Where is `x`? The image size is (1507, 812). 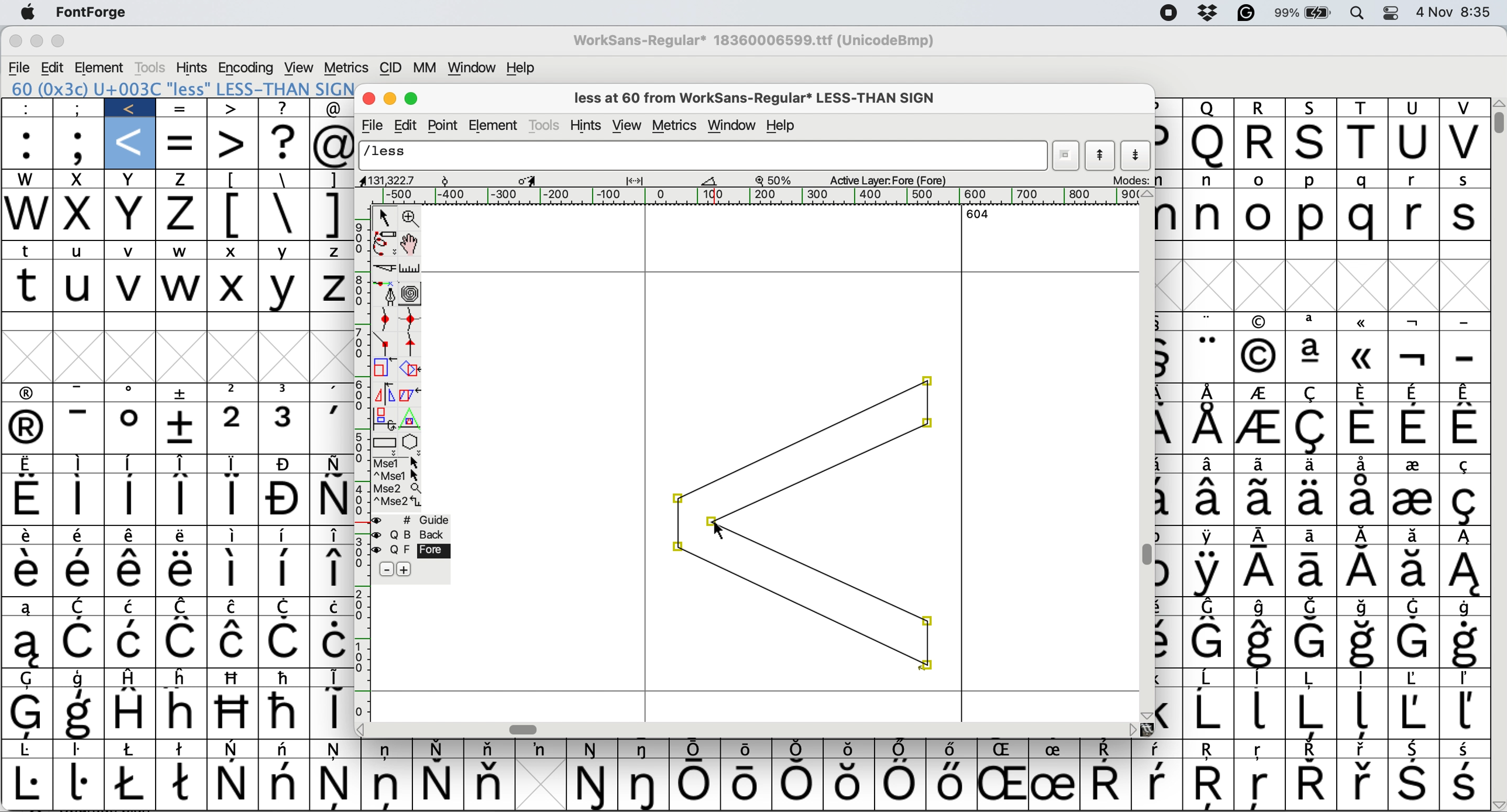 x is located at coordinates (133, 215).